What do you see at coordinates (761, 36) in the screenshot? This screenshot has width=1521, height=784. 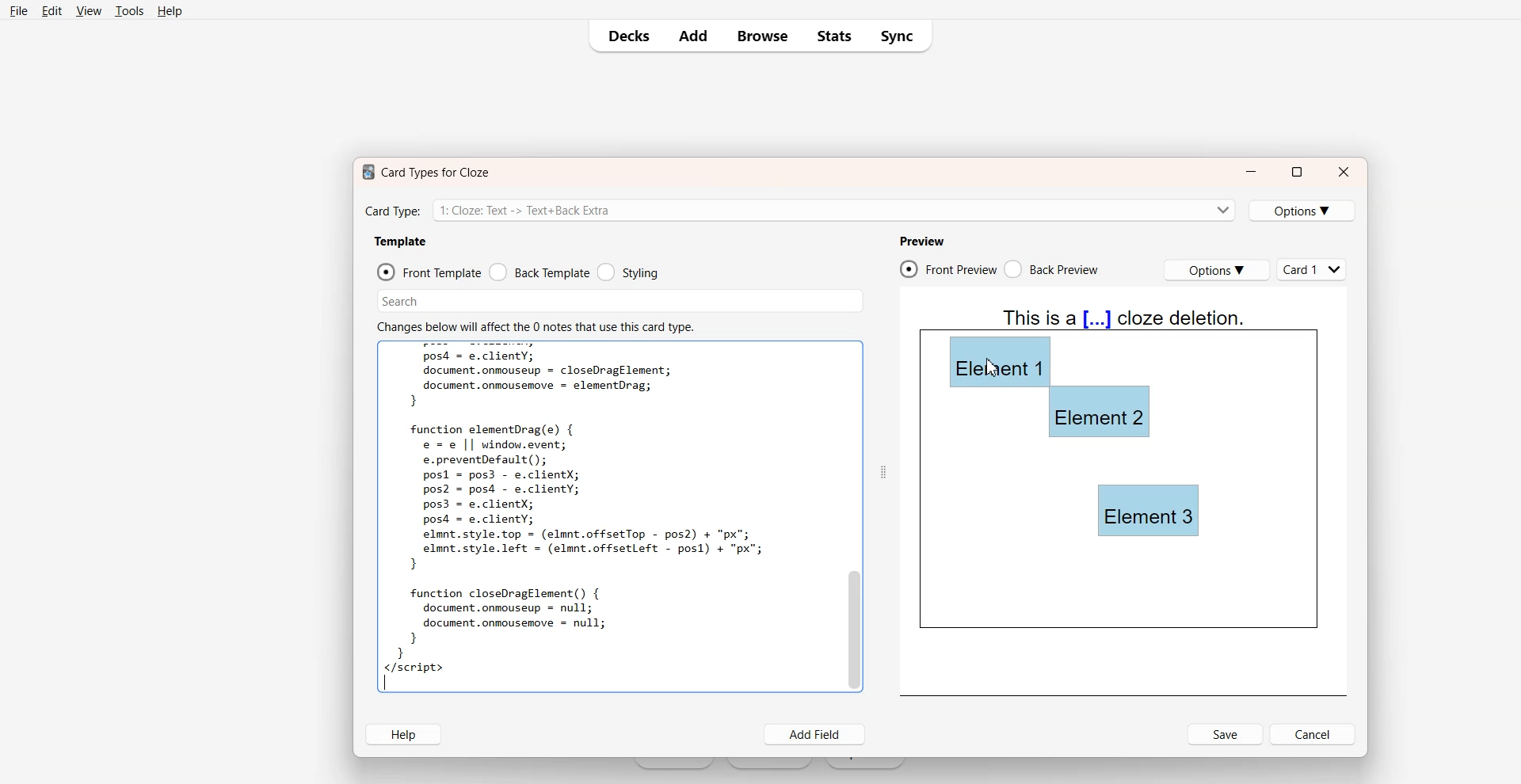 I see `Browse` at bounding box center [761, 36].